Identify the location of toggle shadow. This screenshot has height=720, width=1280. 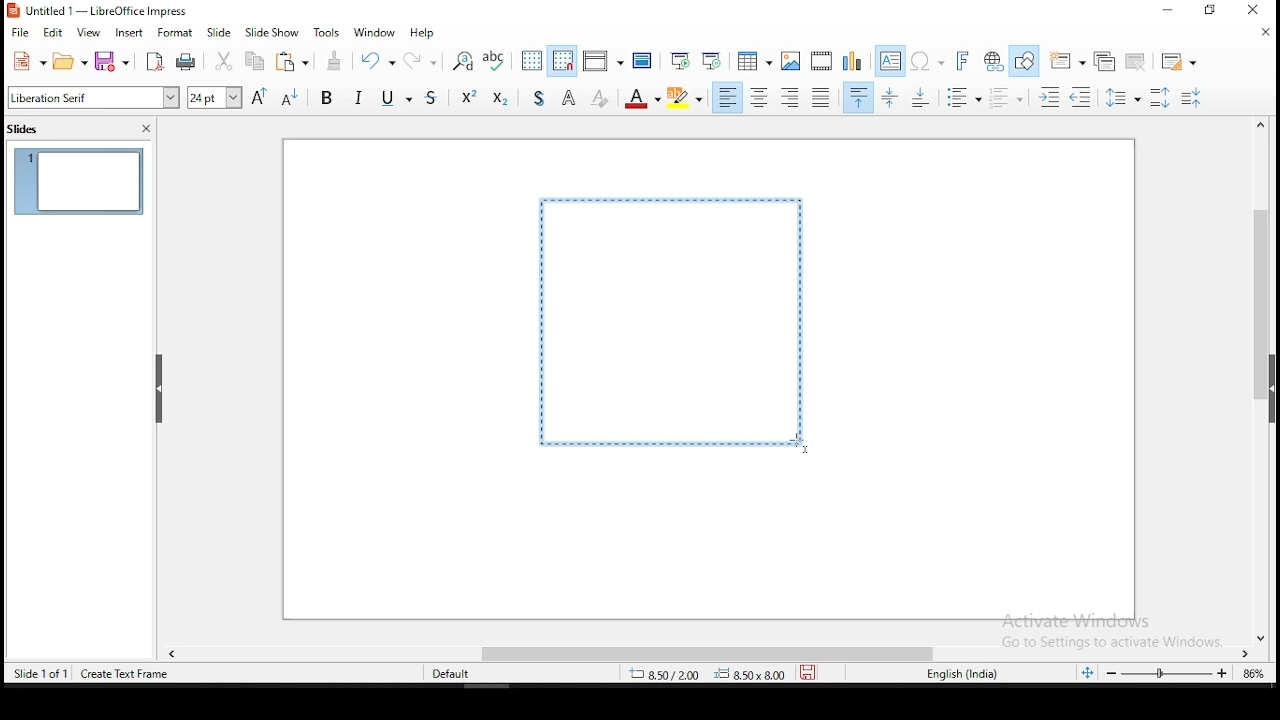
(543, 98).